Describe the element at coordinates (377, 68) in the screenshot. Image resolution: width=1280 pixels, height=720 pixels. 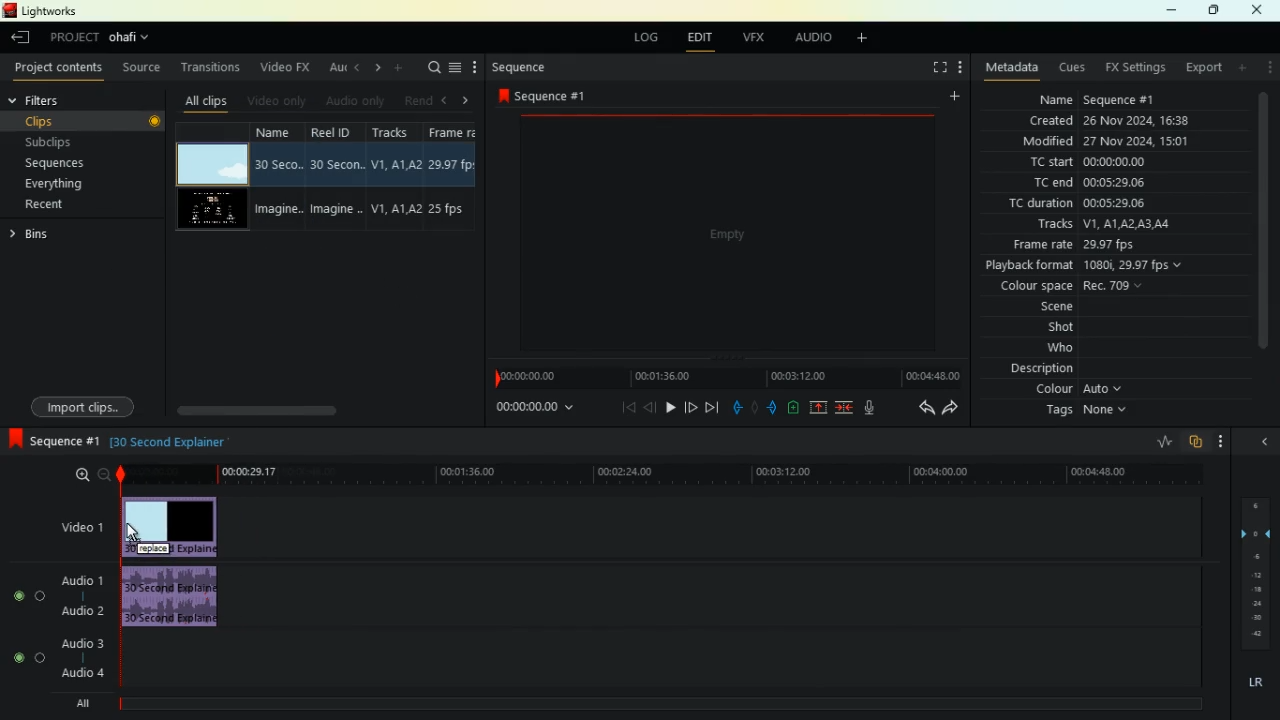
I see `right` at that location.